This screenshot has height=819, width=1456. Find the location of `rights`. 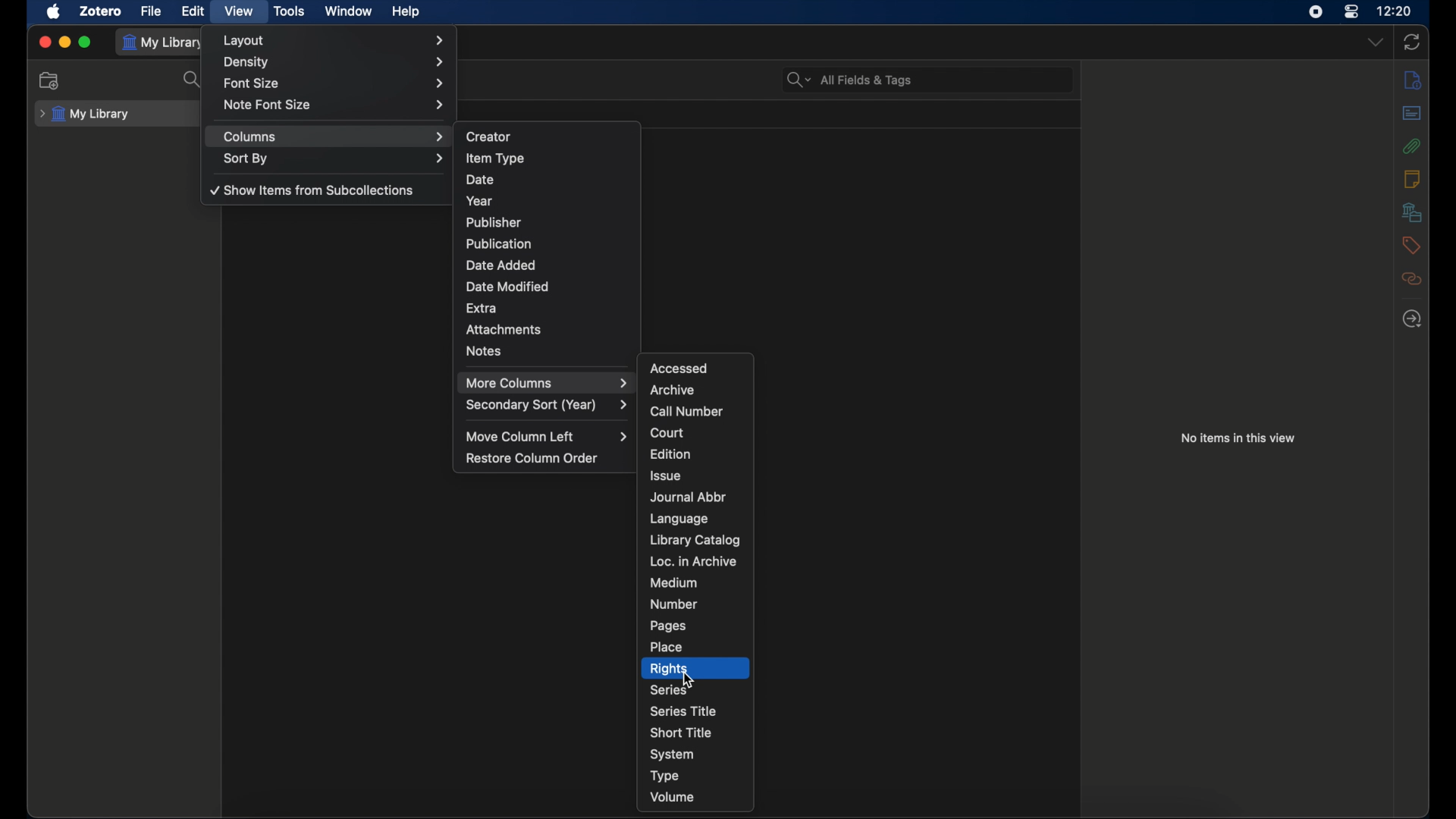

rights is located at coordinates (669, 670).